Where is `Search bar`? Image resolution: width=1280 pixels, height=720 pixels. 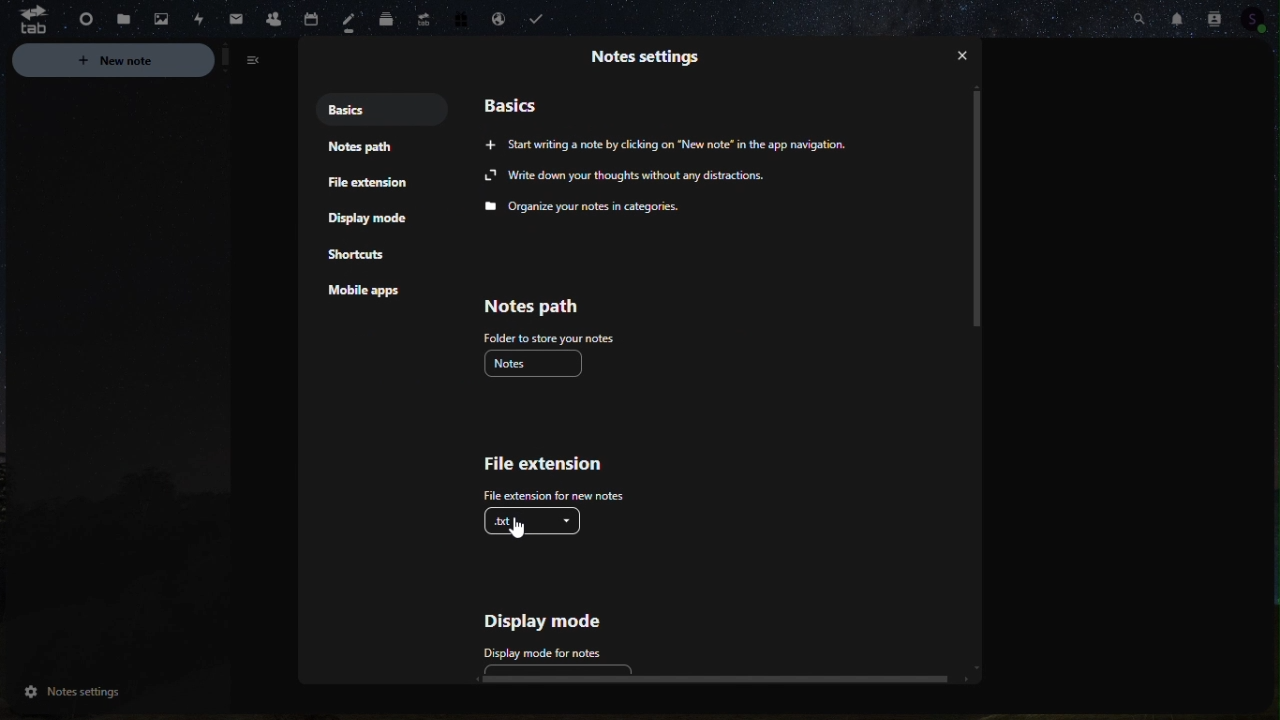
Search bar is located at coordinates (1138, 16).